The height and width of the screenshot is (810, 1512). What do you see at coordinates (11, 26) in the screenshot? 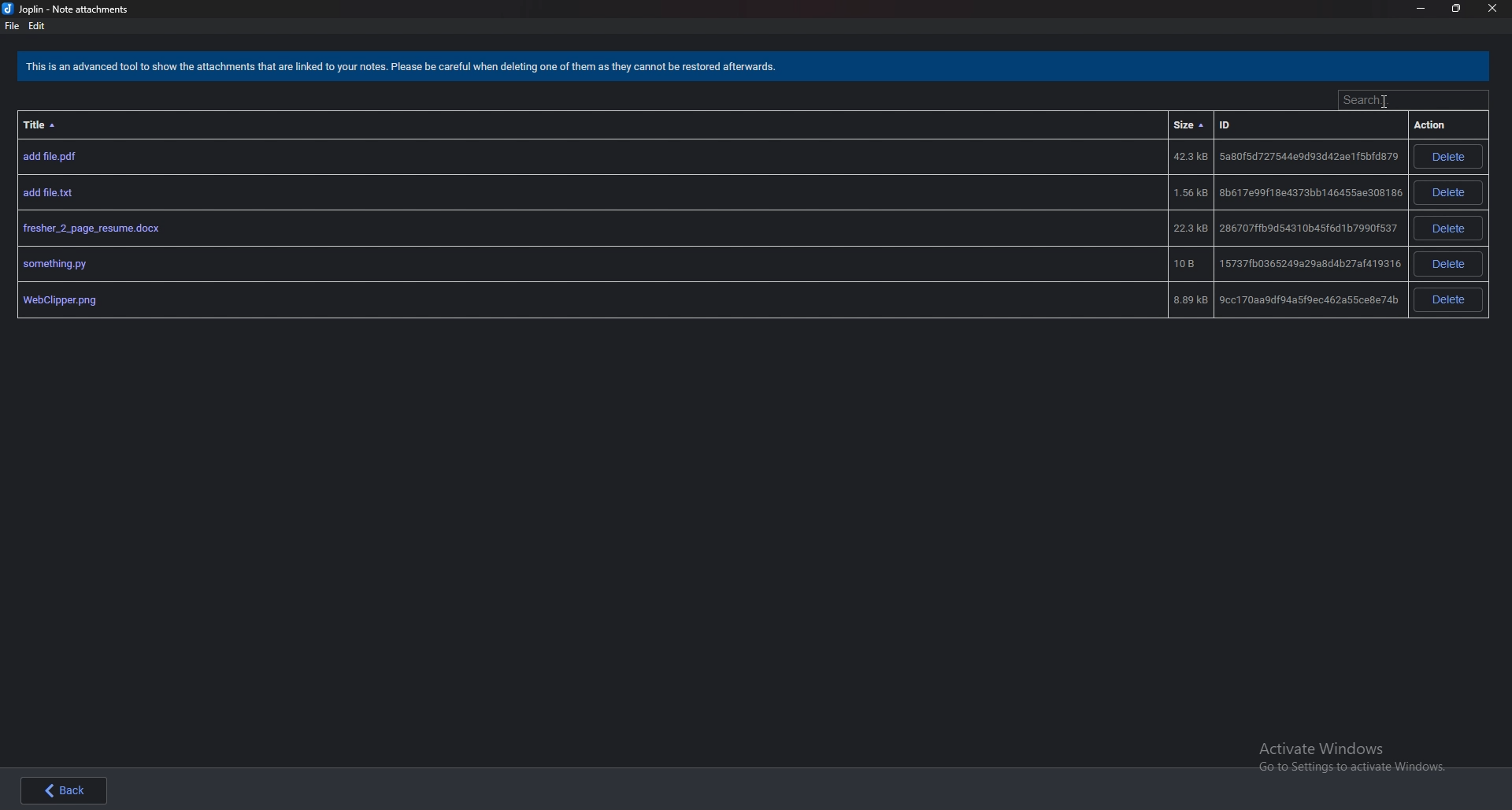
I see `file` at bounding box center [11, 26].